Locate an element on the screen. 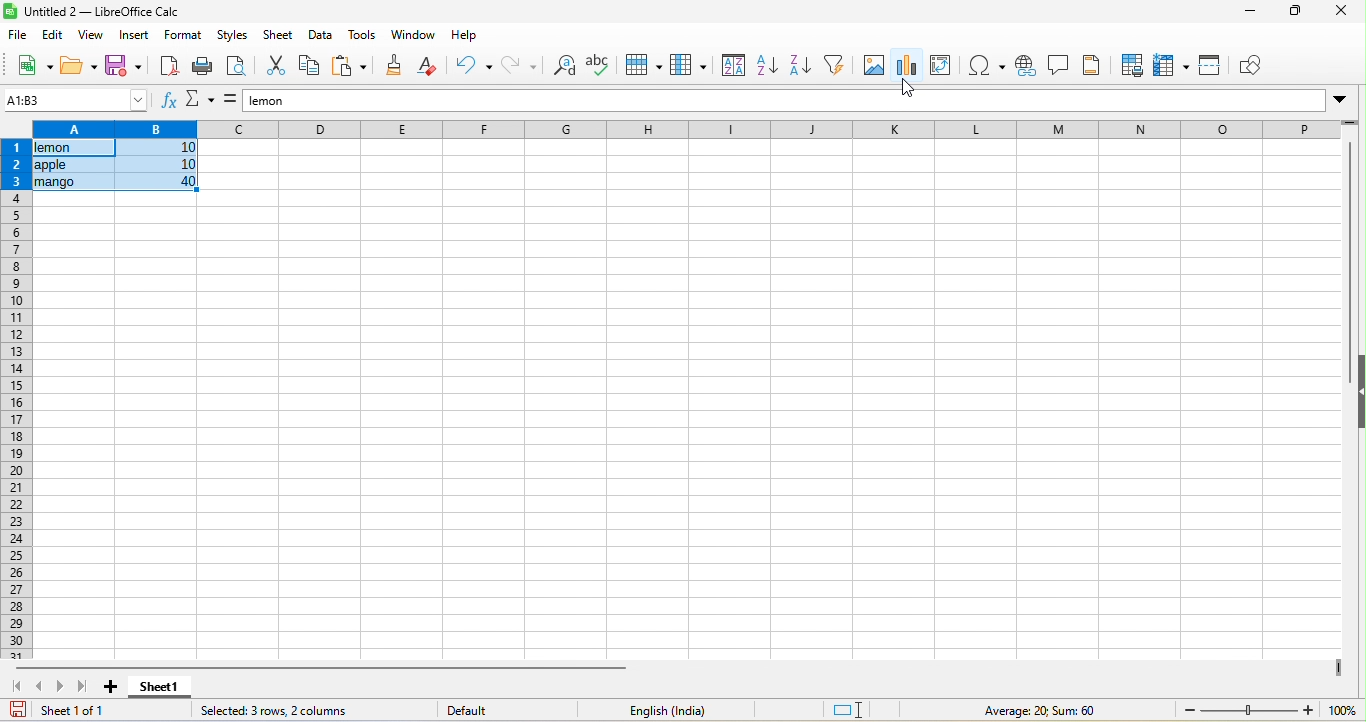 The image size is (1366, 722). new  is located at coordinates (36, 67).